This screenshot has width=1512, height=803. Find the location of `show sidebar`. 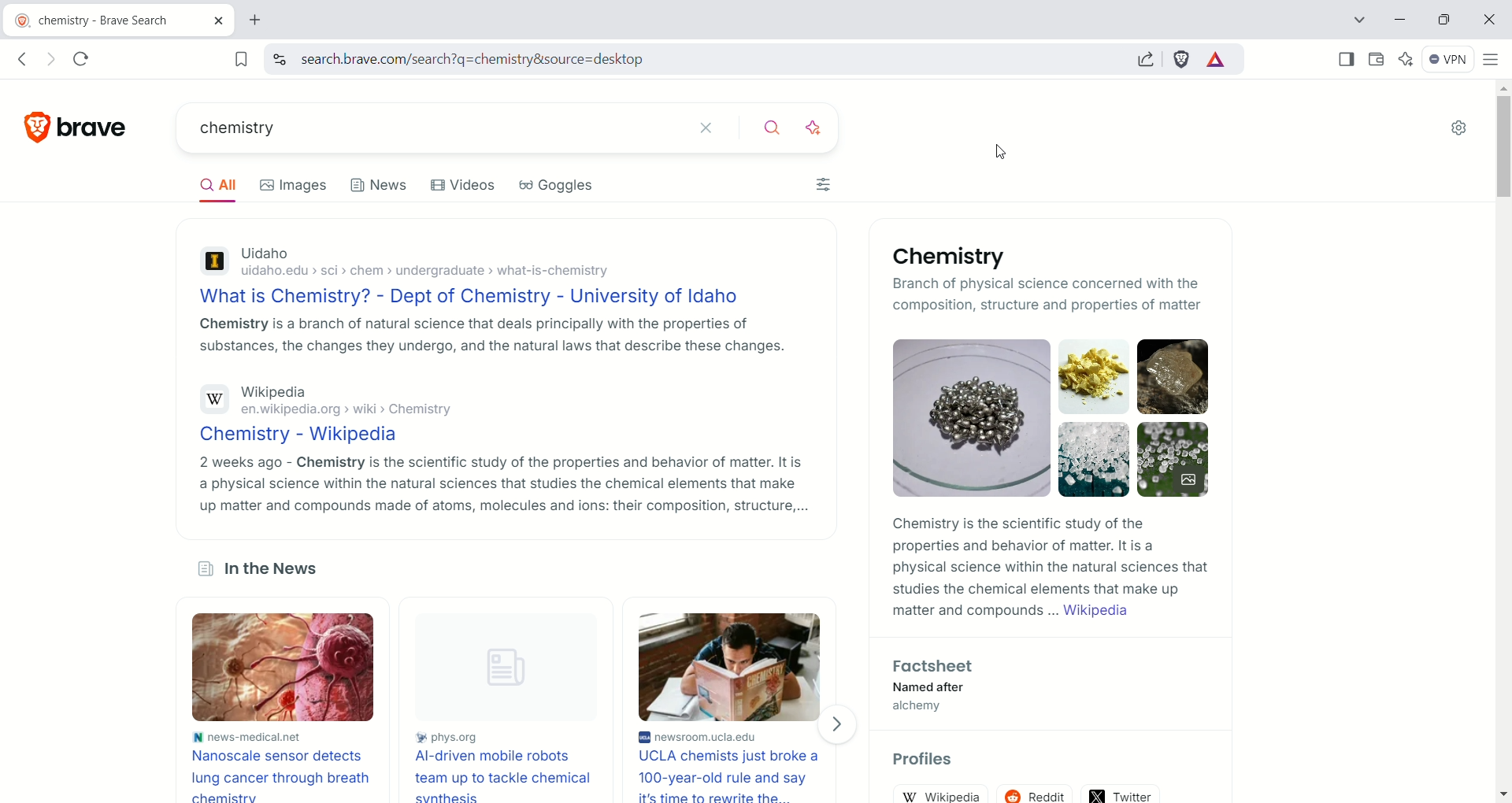

show sidebar is located at coordinates (1344, 59).